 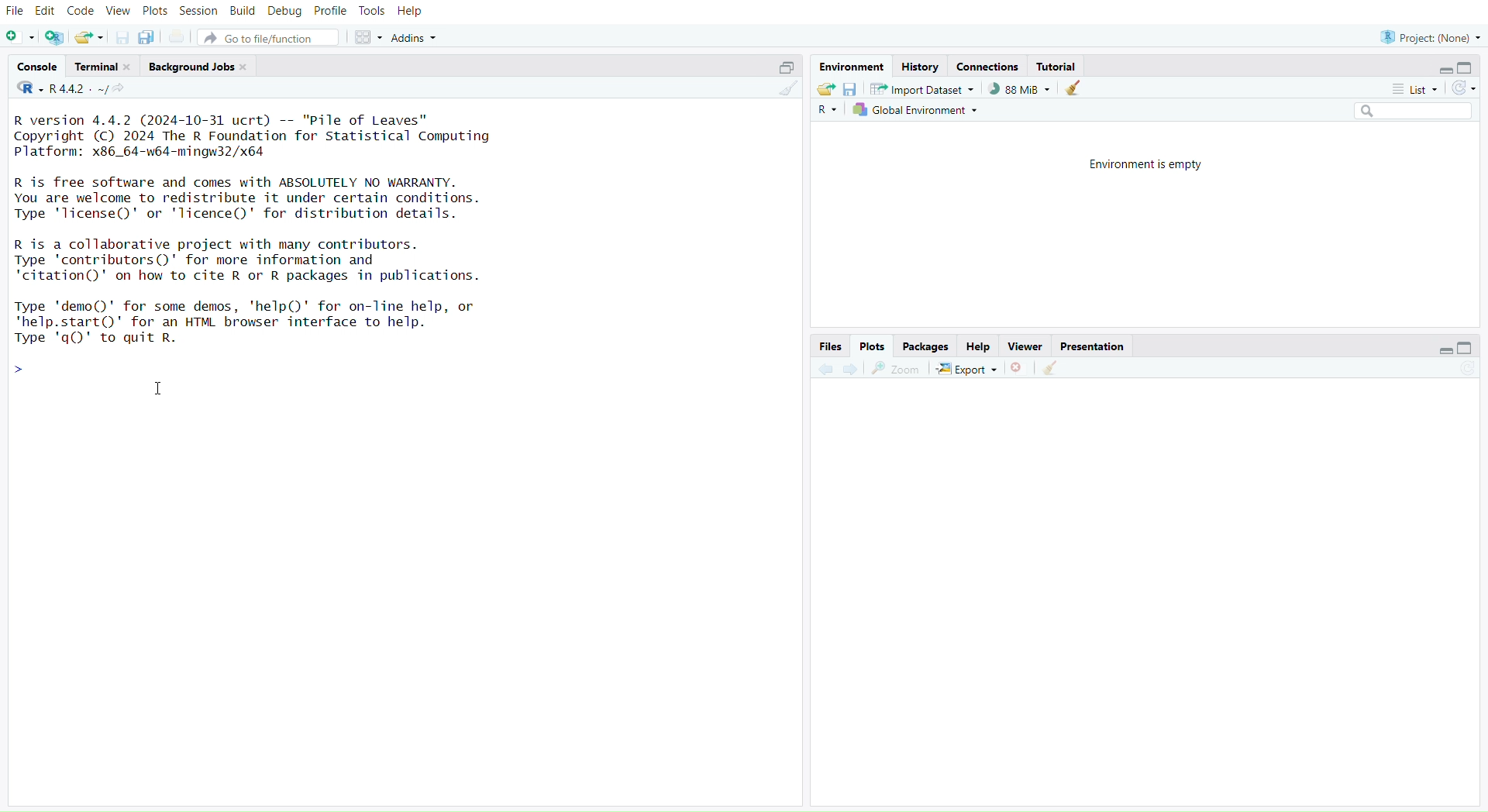 I want to click on new script, so click(x=20, y=39).